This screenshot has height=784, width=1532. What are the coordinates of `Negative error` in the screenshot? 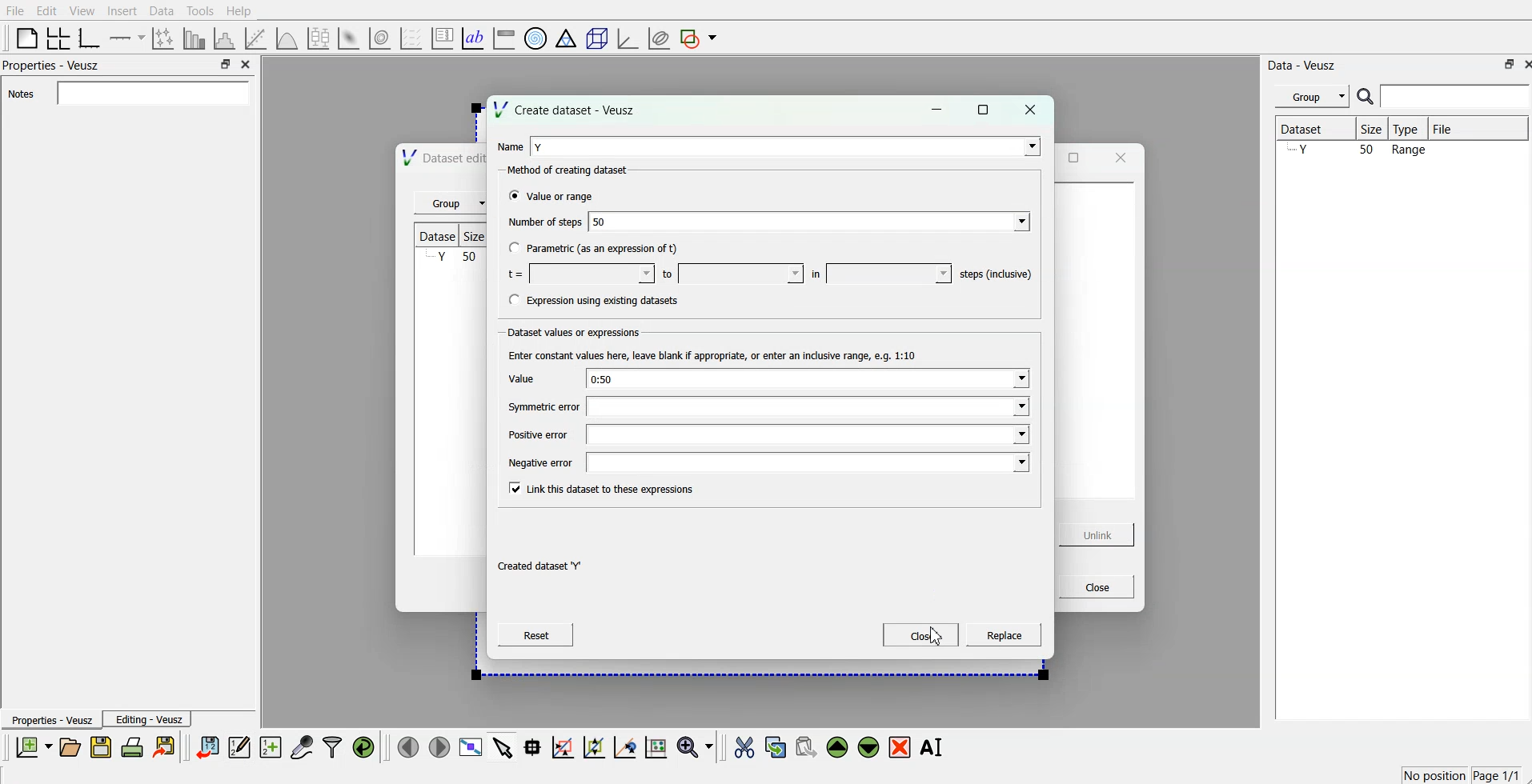 It's located at (543, 462).